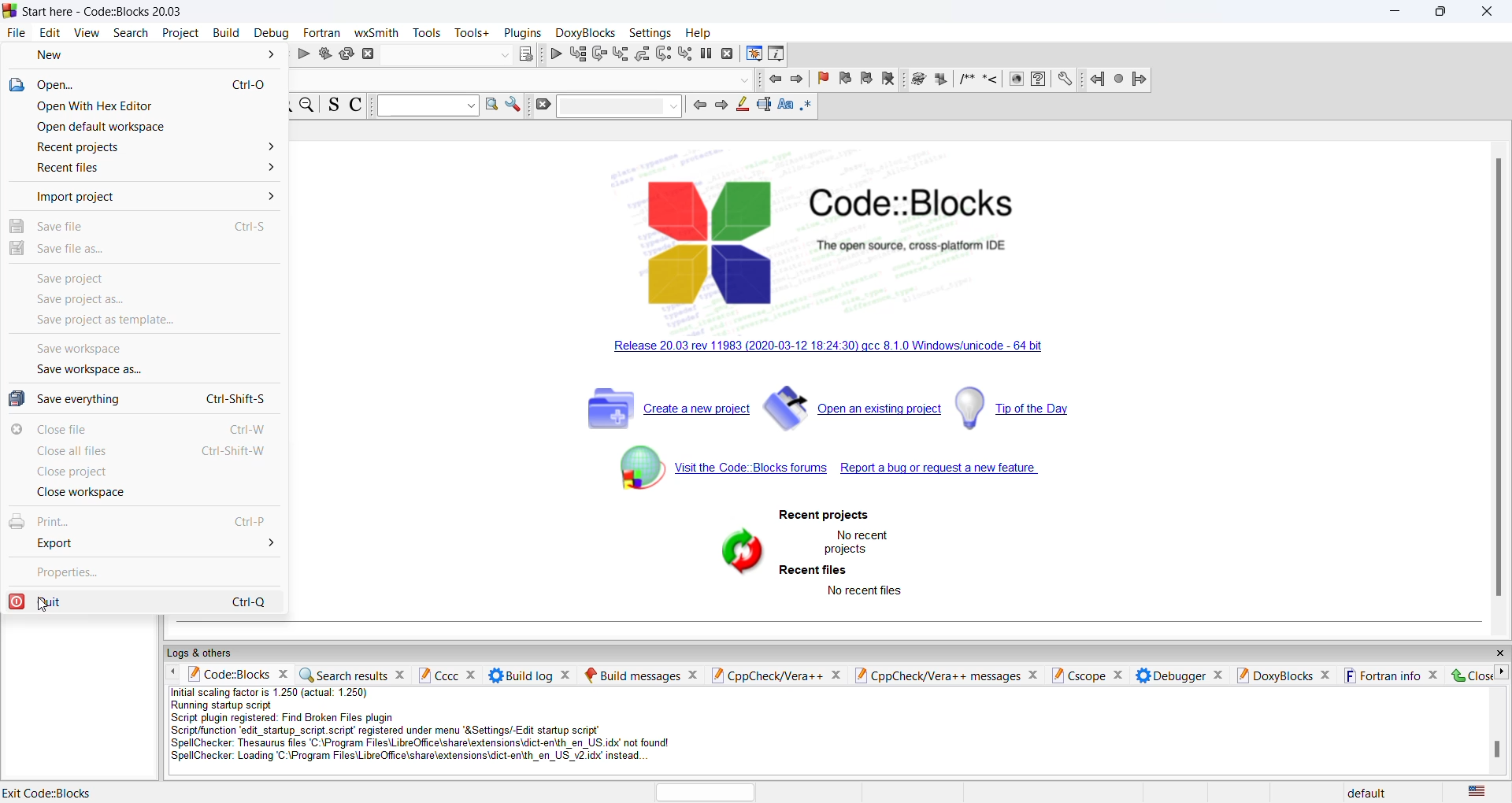 The image size is (1512, 803). Describe the element at coordinates (699, 33) in the screenshot. I see `help` at that location.